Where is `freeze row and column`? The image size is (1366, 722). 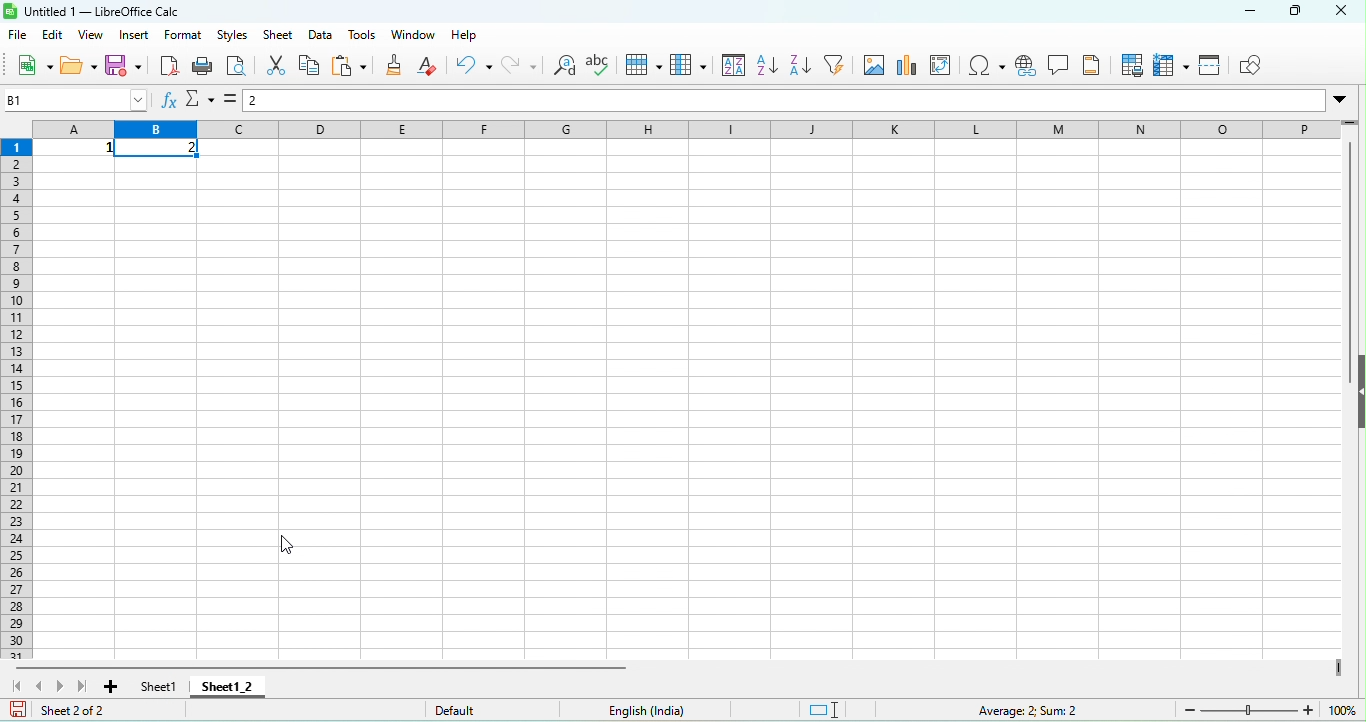 freeze row and column is located at coordinates (1171, 66).